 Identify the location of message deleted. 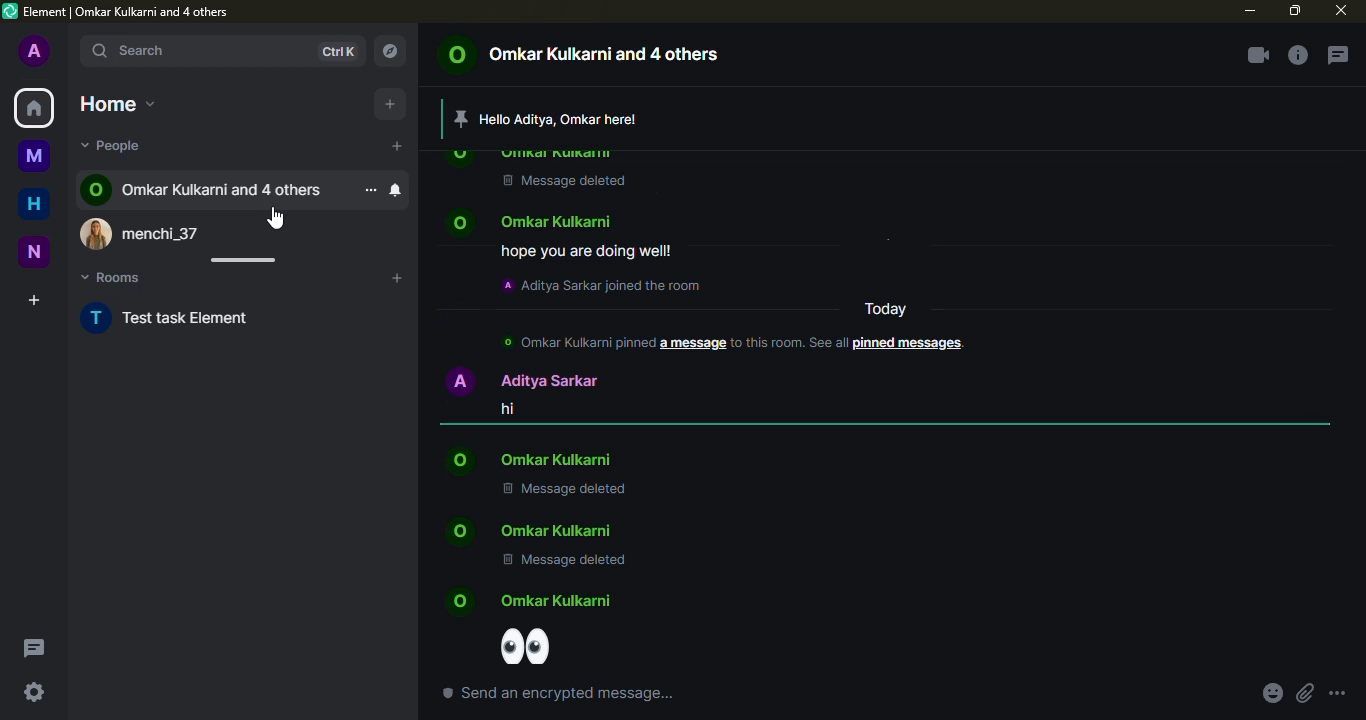
(567, 181).